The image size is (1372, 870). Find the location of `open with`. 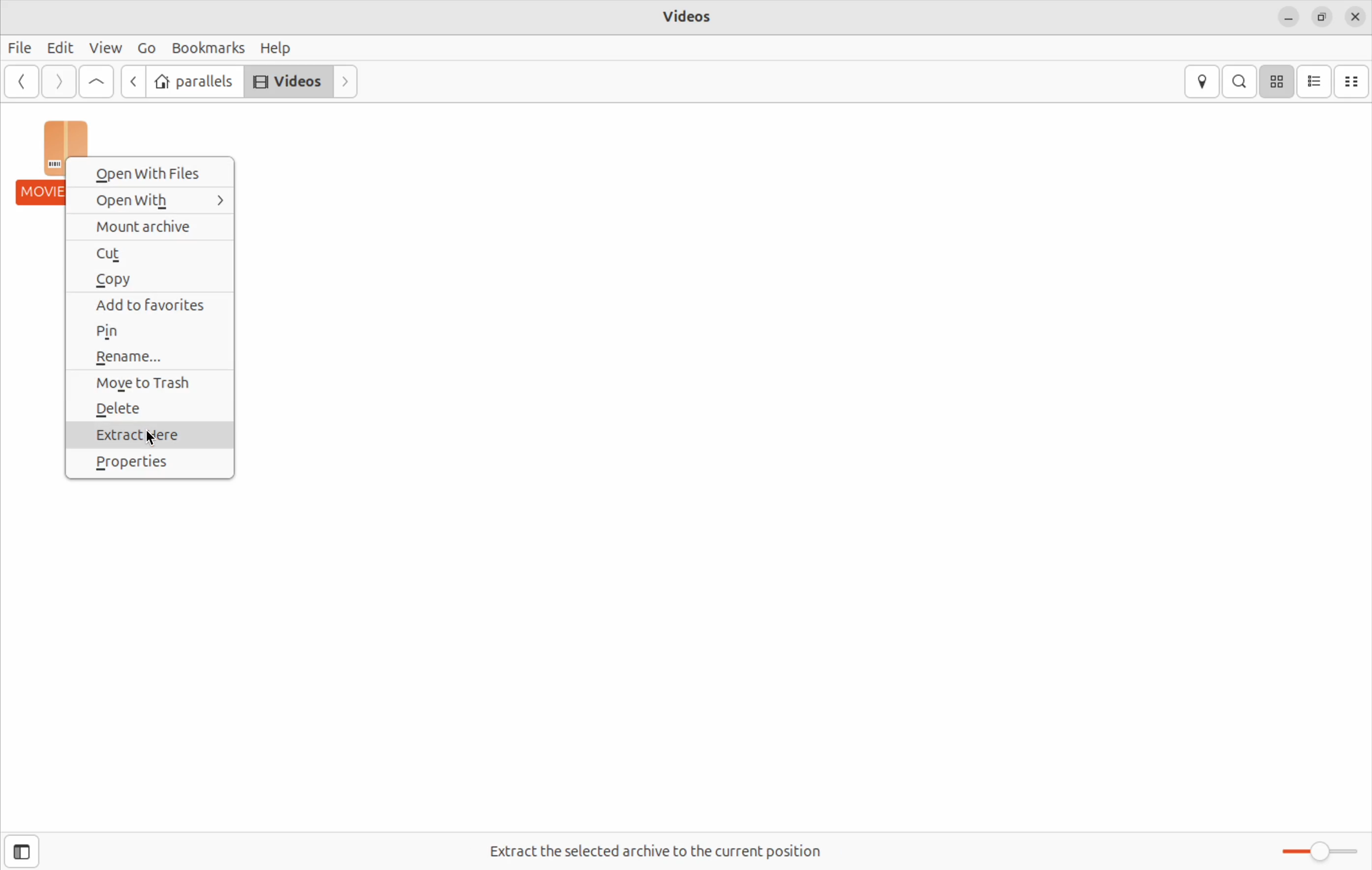

open with is located at coordinates (159, 201).